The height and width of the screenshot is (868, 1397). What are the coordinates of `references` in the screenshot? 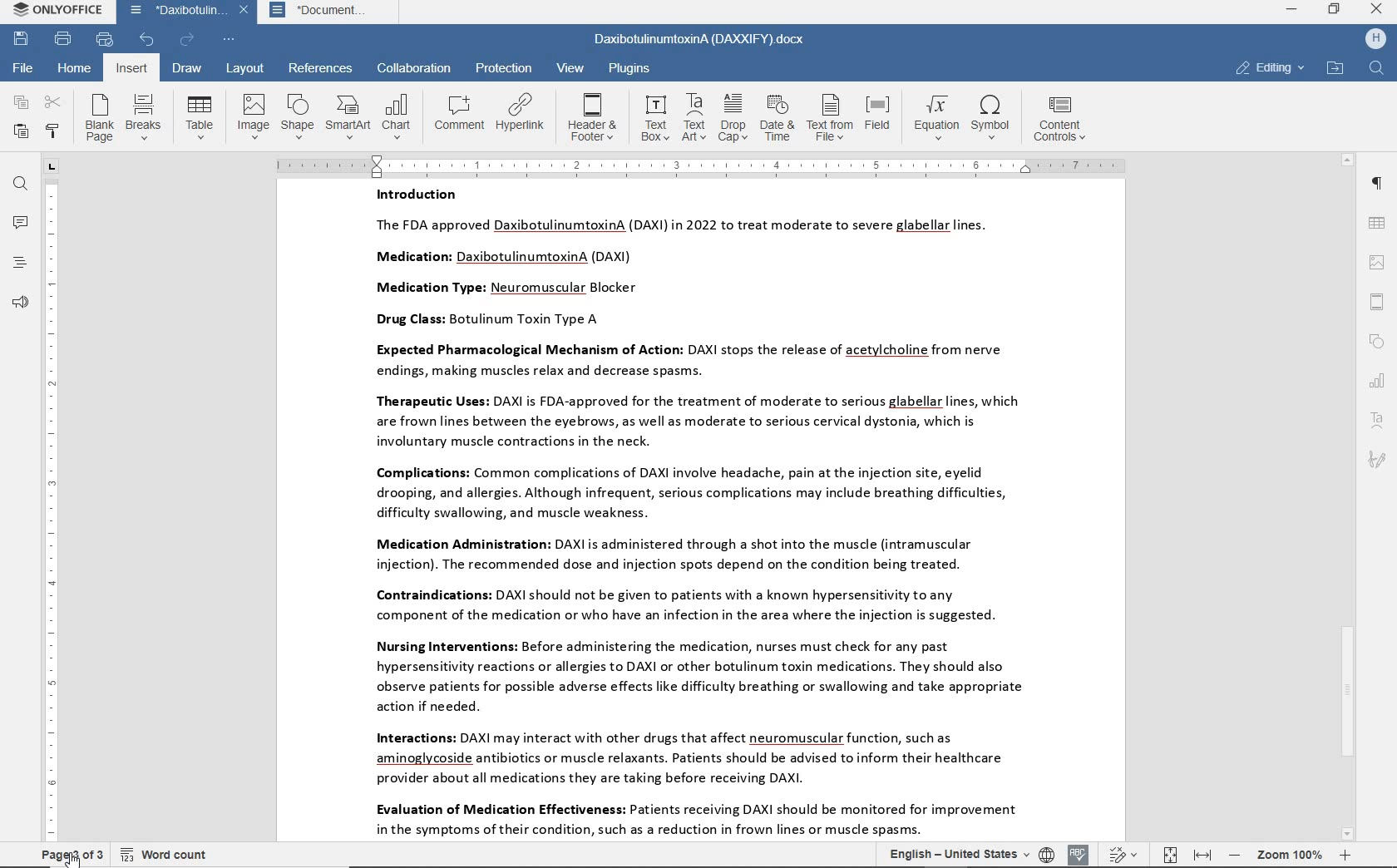 It's located at (321, 67).